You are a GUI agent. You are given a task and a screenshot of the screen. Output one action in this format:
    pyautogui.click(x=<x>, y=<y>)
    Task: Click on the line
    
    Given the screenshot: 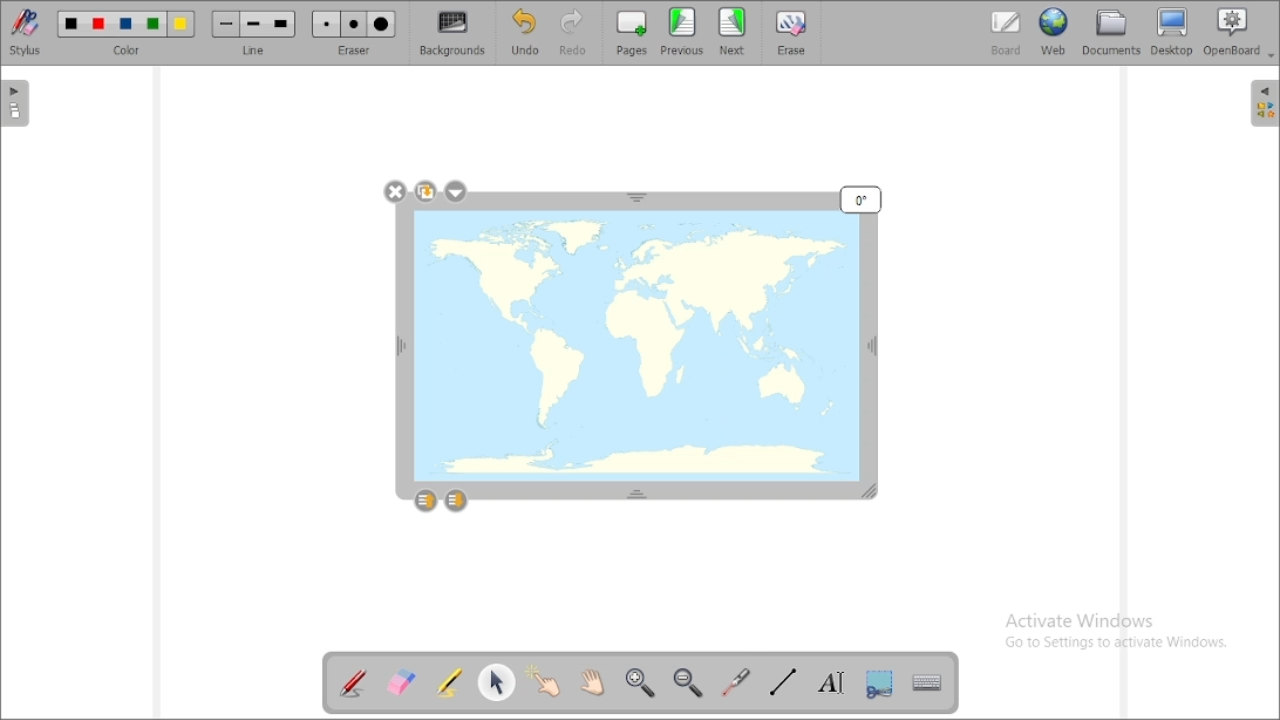 What is the action you would take?
    pyautogui.click(x=254, y=33)
    